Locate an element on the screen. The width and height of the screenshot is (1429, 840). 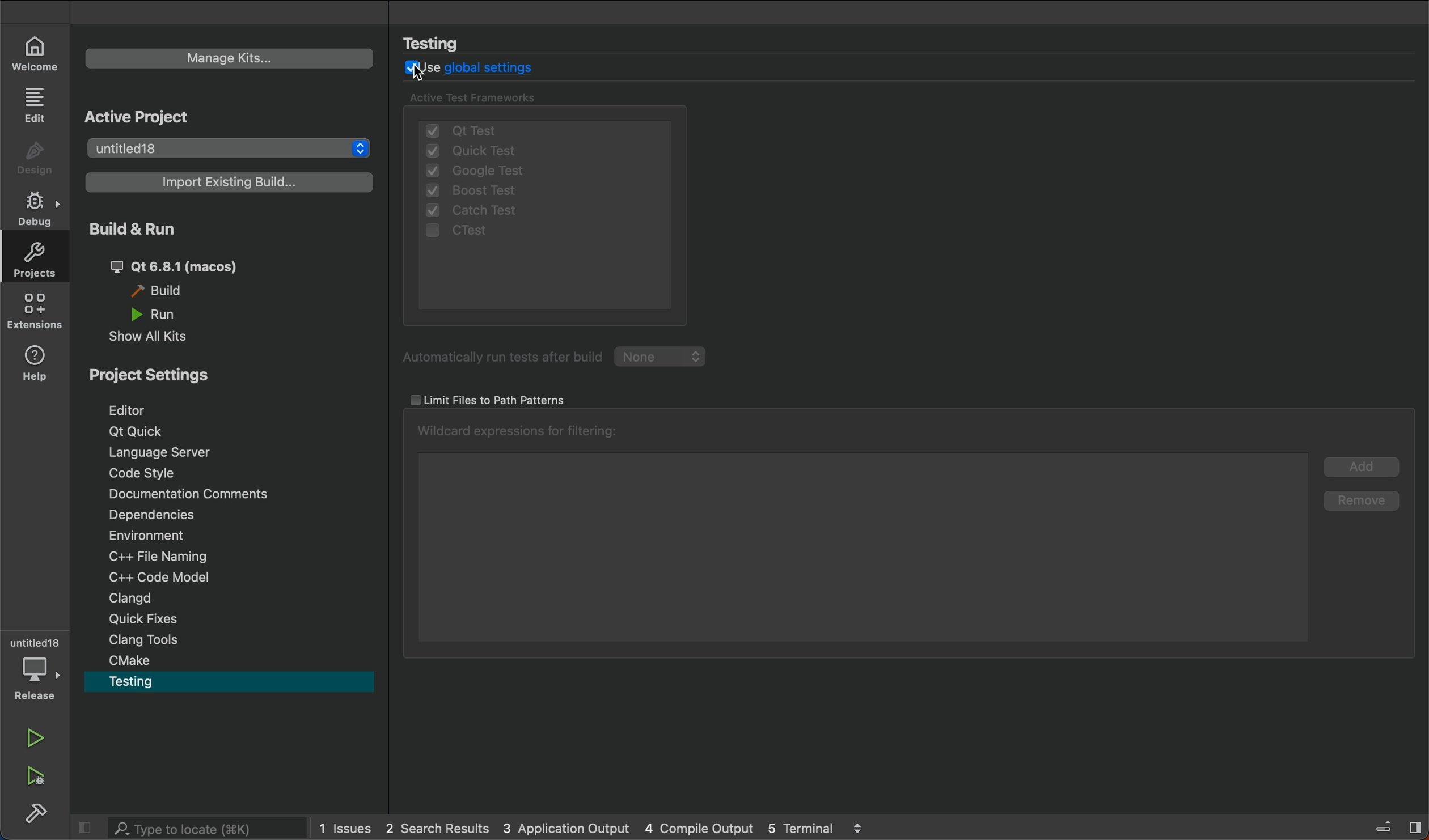
logs is located at coordinates (596, 827).